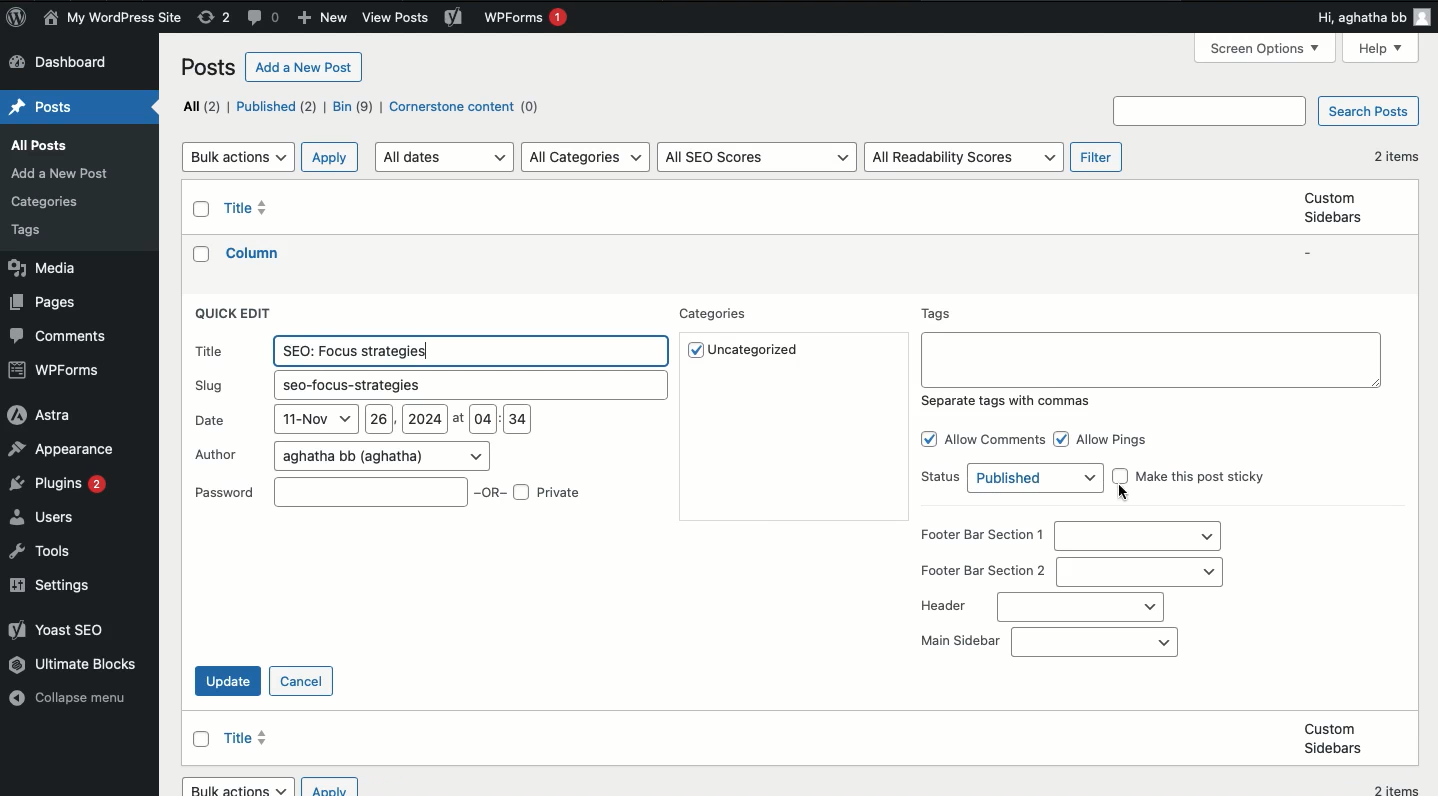 Image resolution: width=1438 pixels, height=796 pixels. I want to click on 2 items, so click(1395, 156).